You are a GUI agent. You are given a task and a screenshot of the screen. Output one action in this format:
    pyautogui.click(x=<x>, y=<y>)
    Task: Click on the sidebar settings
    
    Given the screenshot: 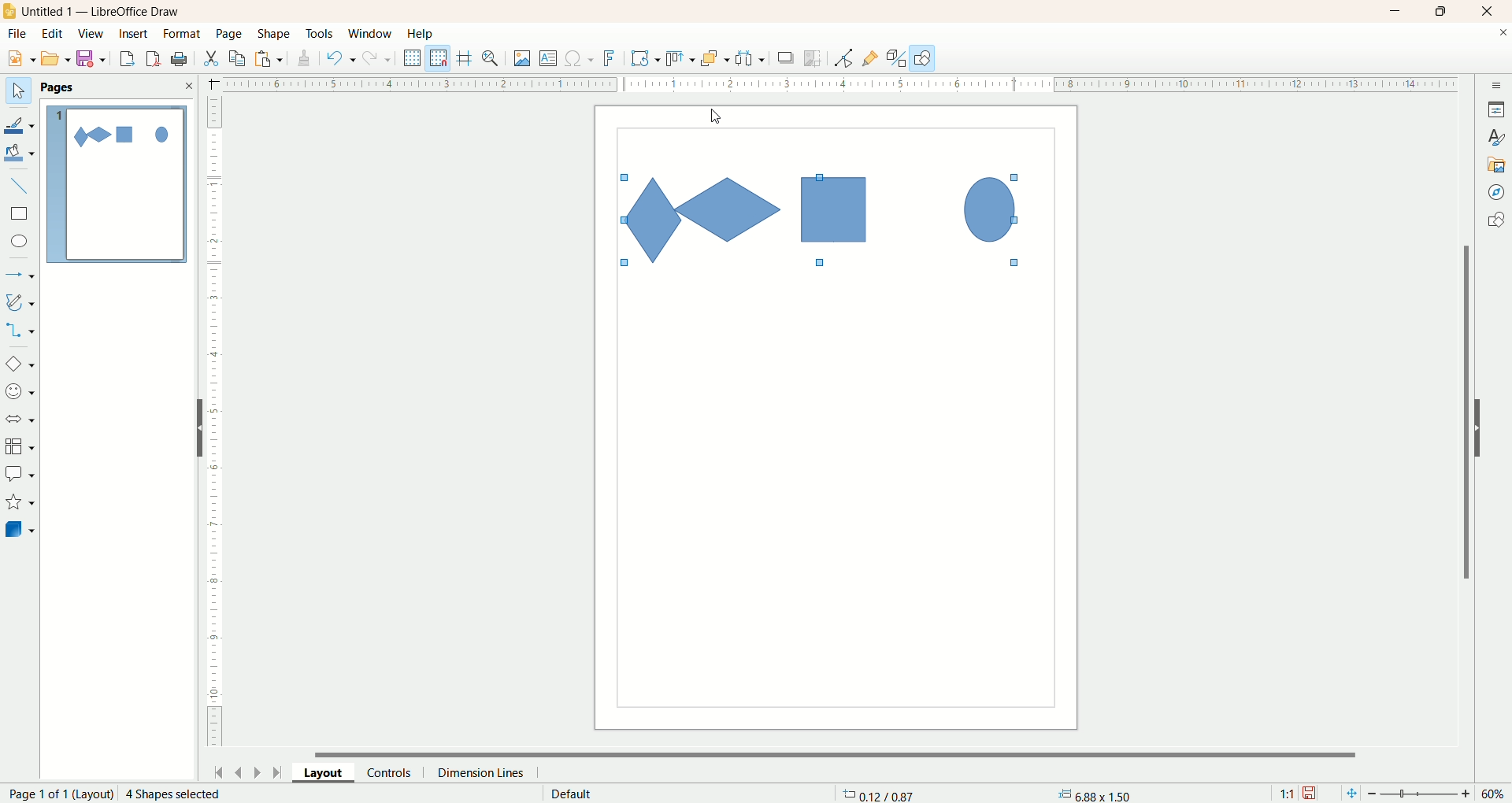 What is the action you would take?
    pyautogui.click(x=1497, y=83)
    